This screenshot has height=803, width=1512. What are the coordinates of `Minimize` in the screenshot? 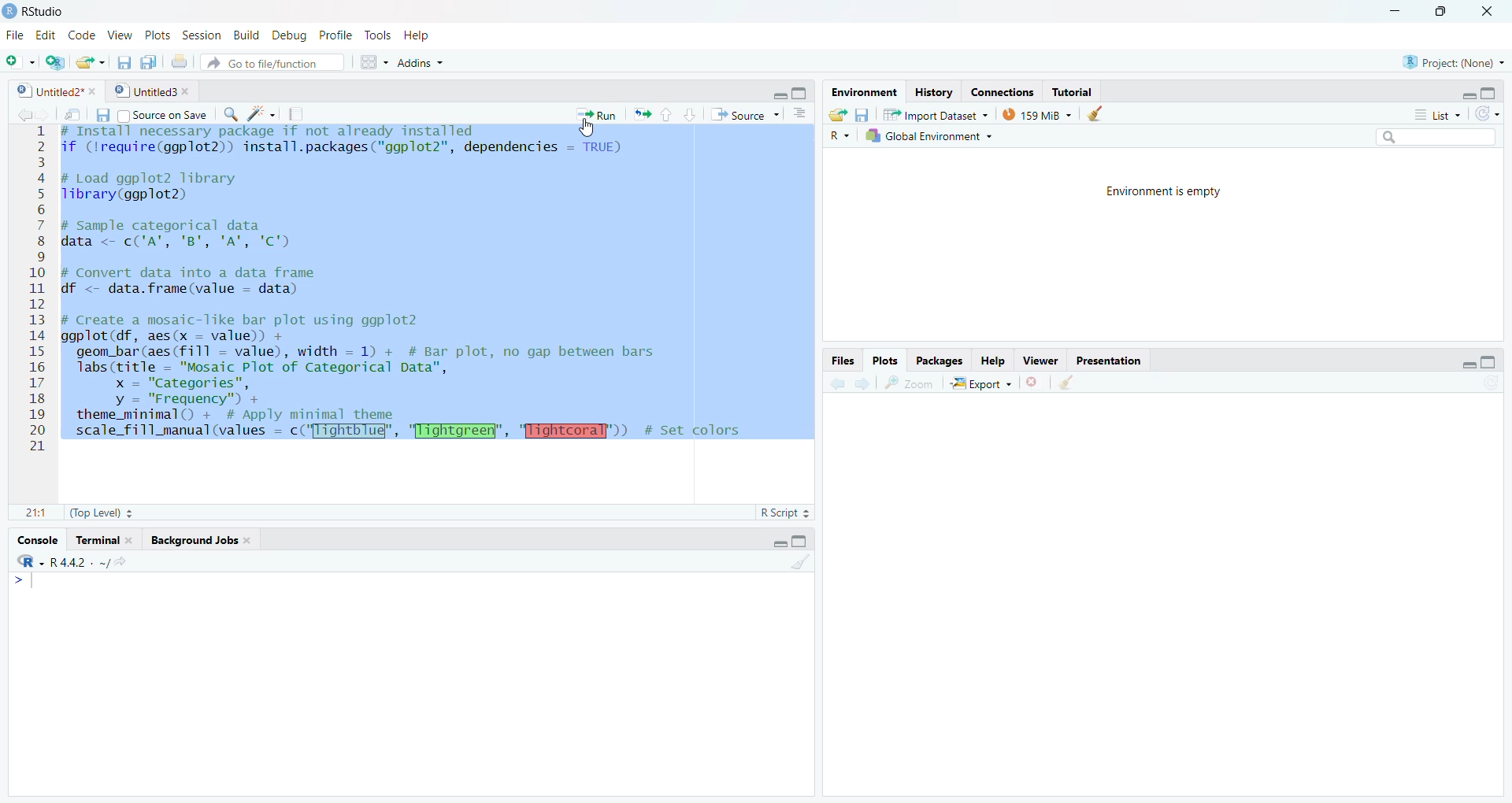 It's located at (778, 96).